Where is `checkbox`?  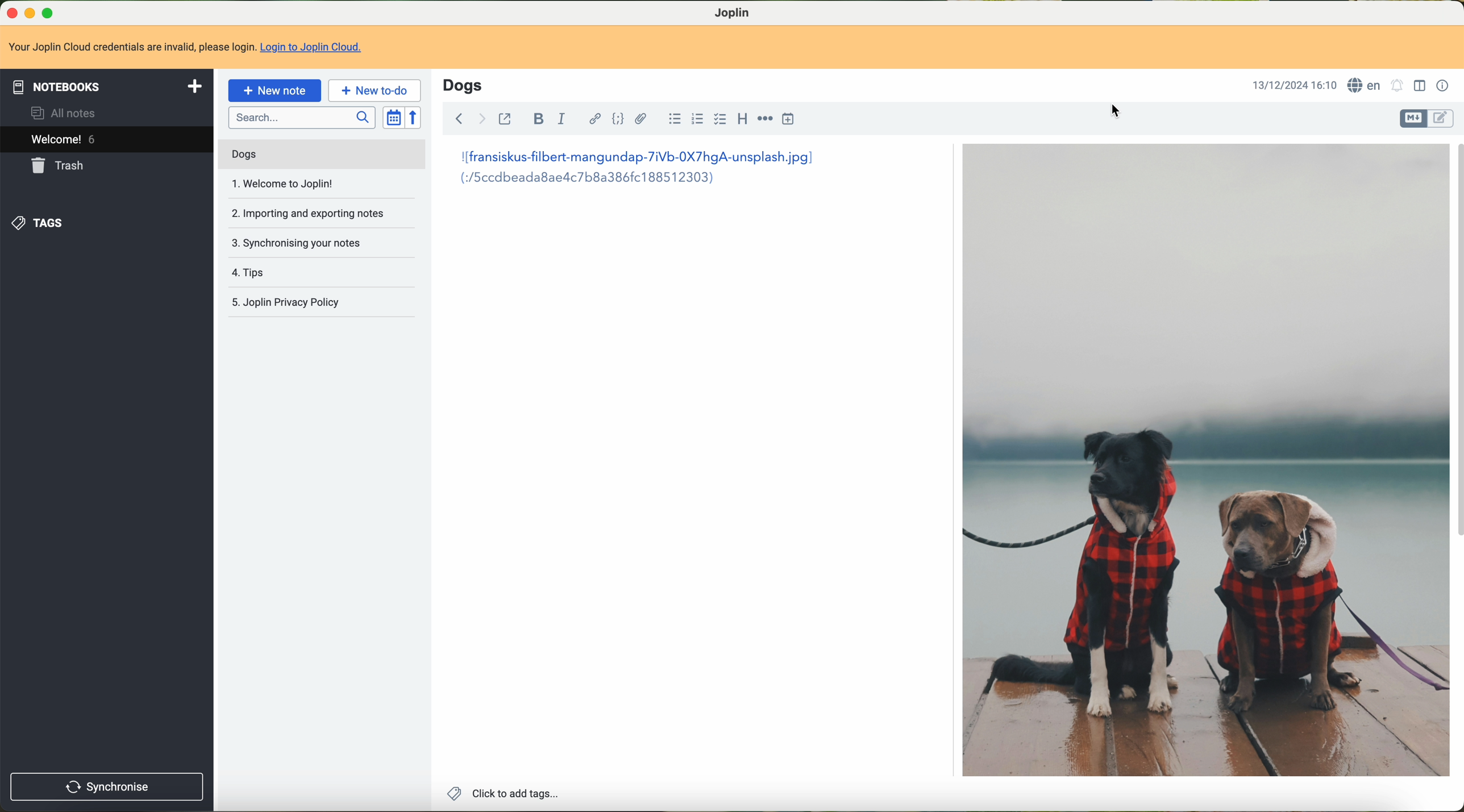
checkbox is located at coordinates (721, 121).